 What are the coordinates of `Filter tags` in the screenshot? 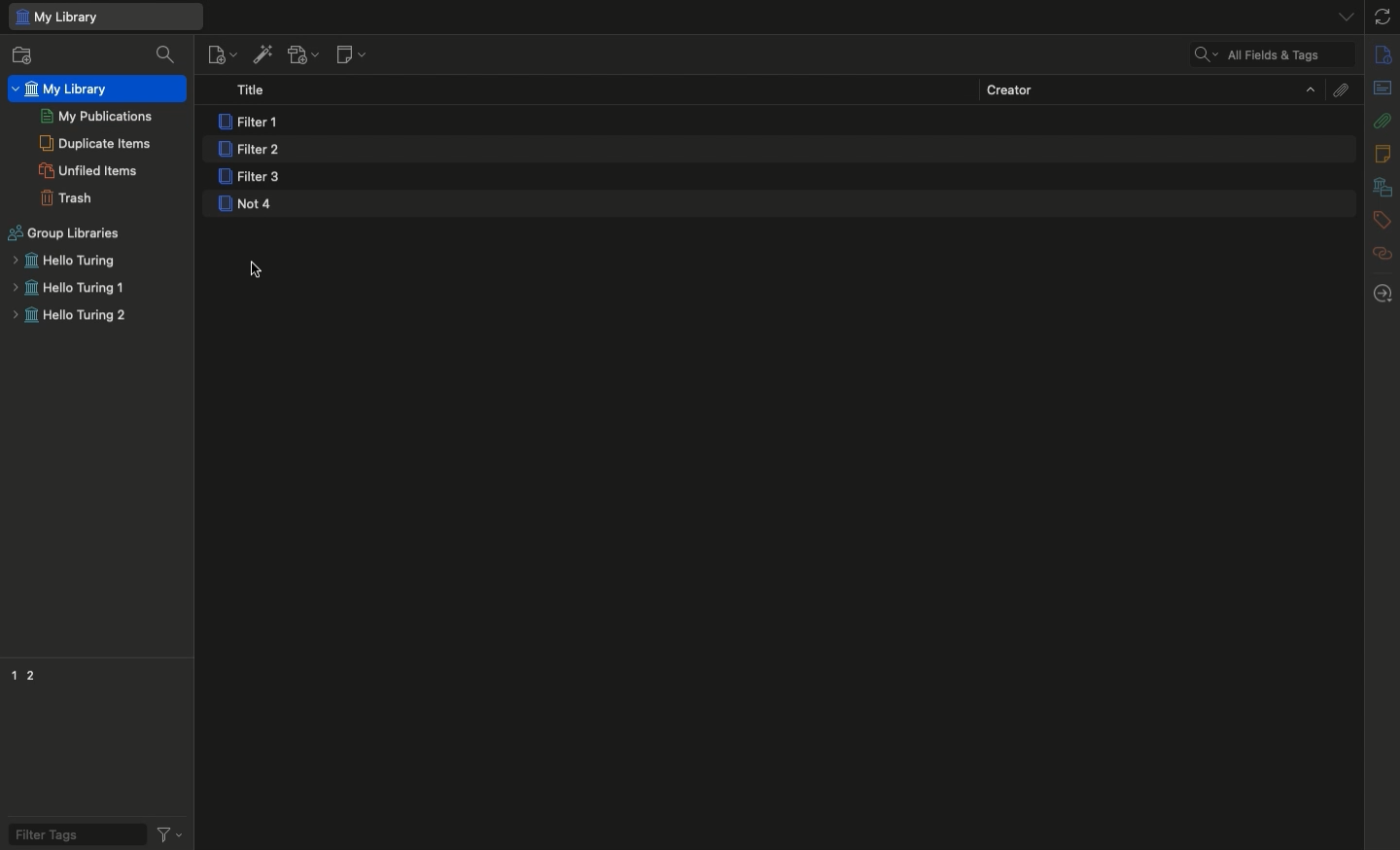 It's located at (70, 832).